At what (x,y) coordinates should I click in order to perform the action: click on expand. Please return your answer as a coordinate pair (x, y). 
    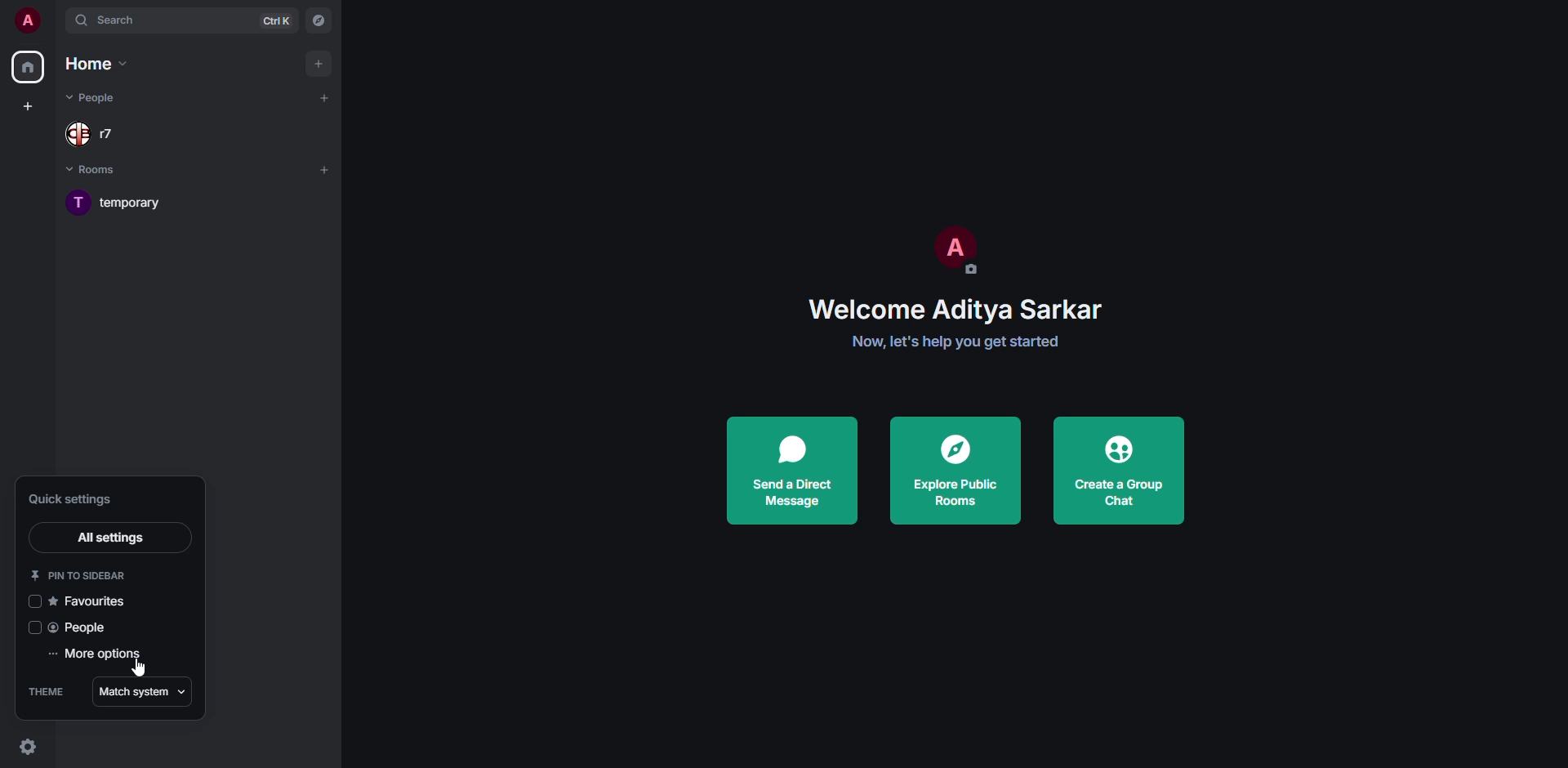
    Looking at the image, I should click on (56, 21).